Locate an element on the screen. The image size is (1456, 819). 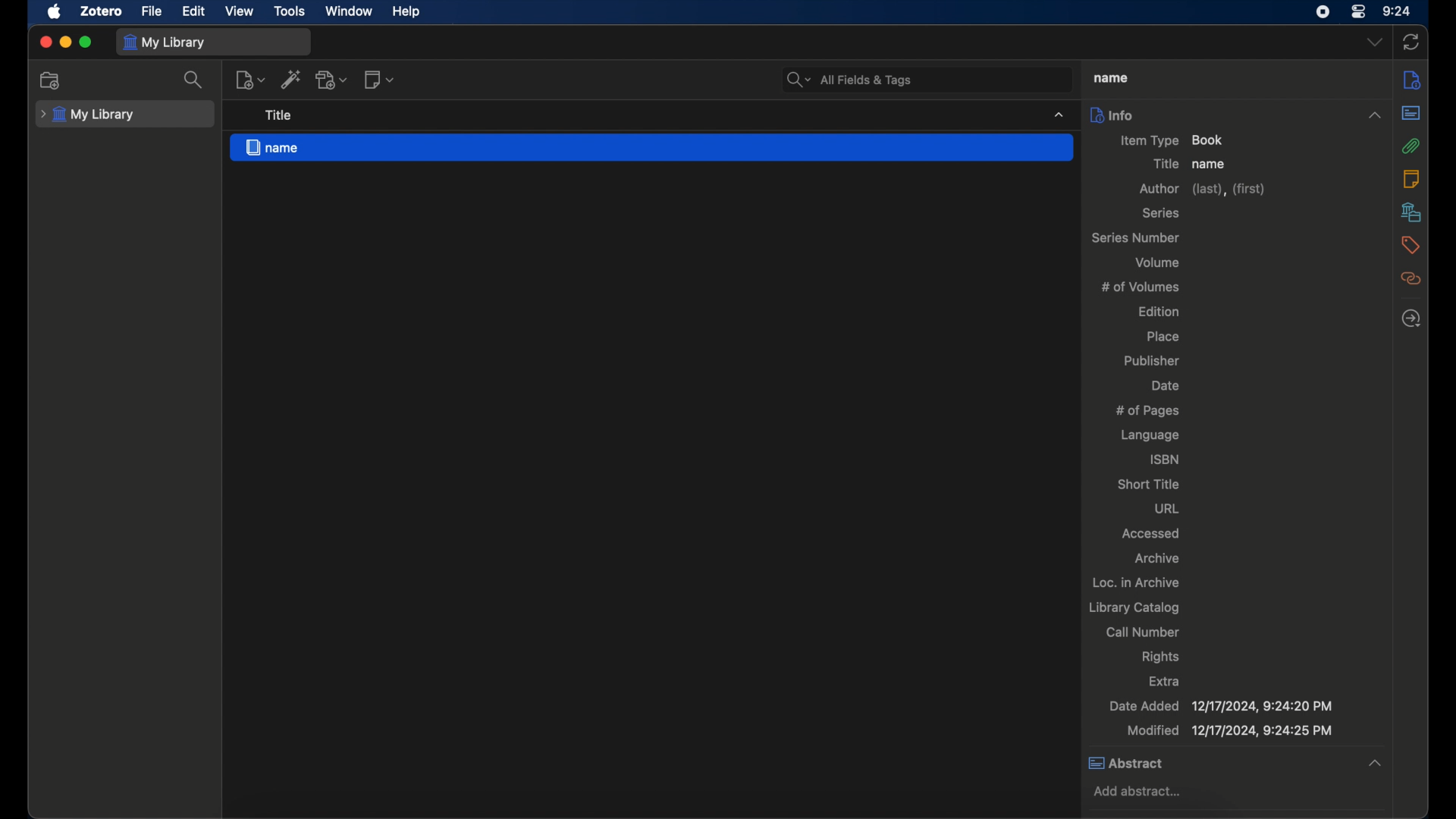
new collection is located at coordinates (50, 80).